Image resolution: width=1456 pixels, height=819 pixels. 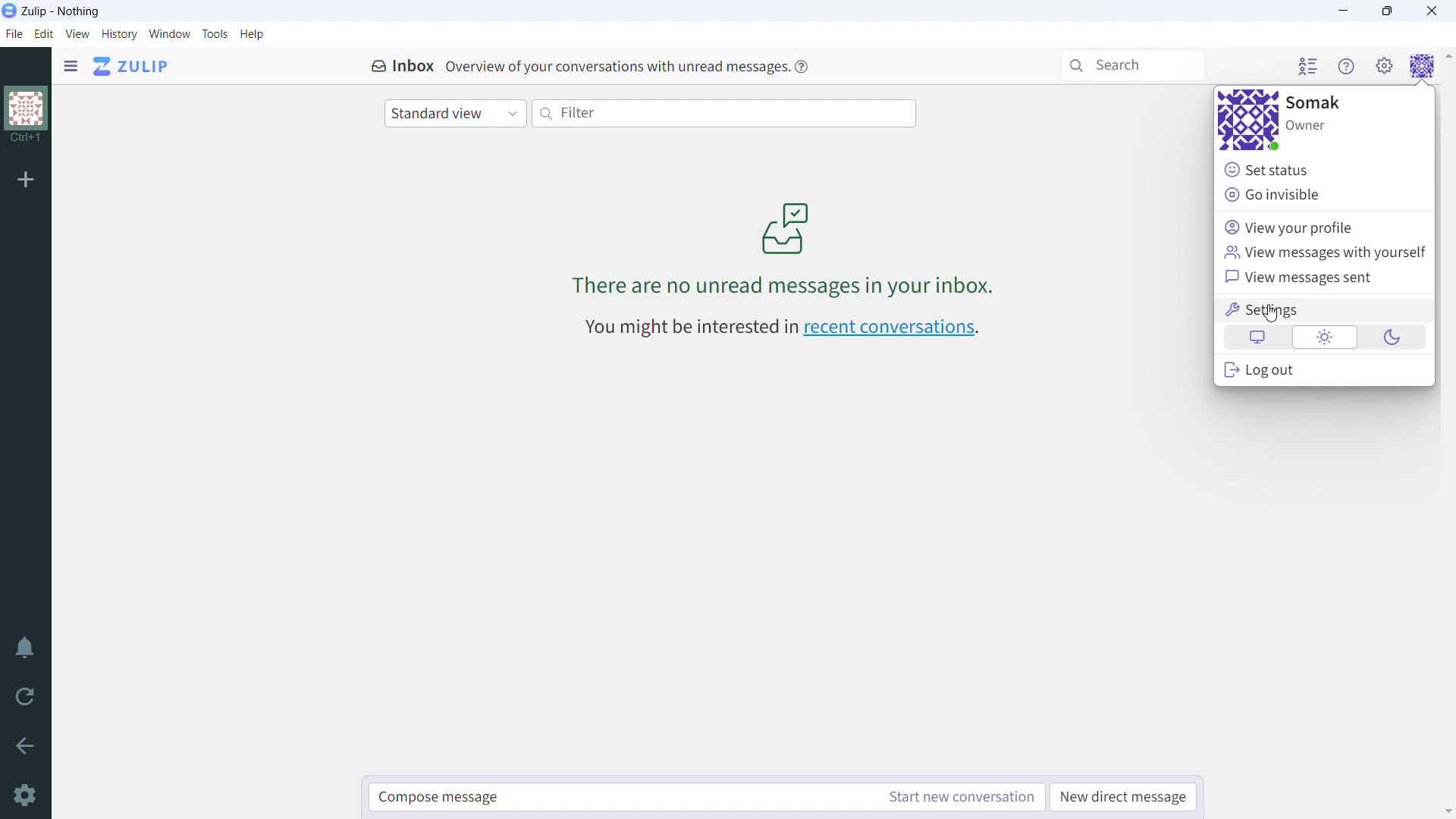 What do you see at coordinates (1447, 811) in the screenshot?
I see `scroll down` at bounding box center [1447, 811].